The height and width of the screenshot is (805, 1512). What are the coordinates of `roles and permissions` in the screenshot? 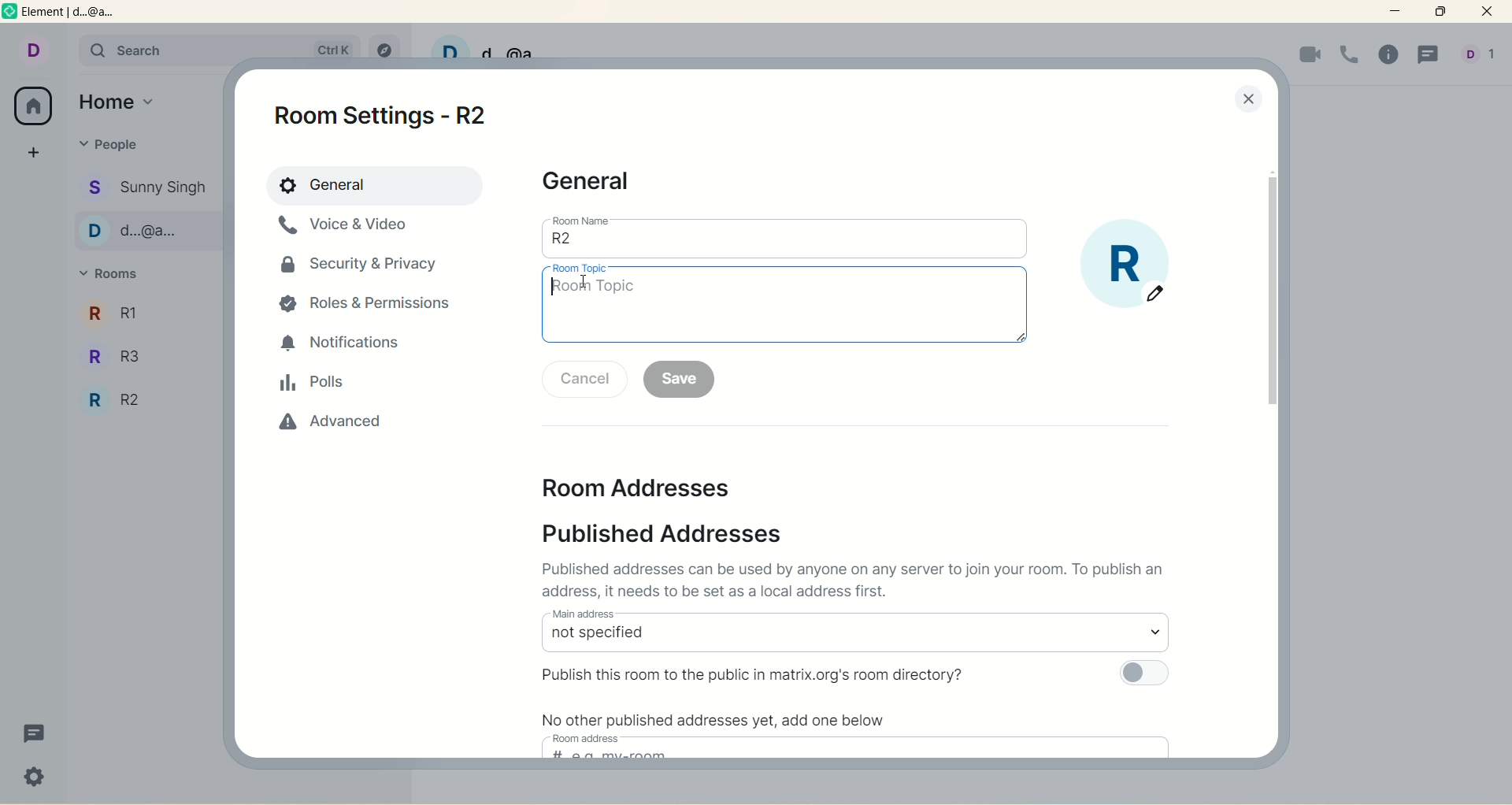 It's located at (371, 306).